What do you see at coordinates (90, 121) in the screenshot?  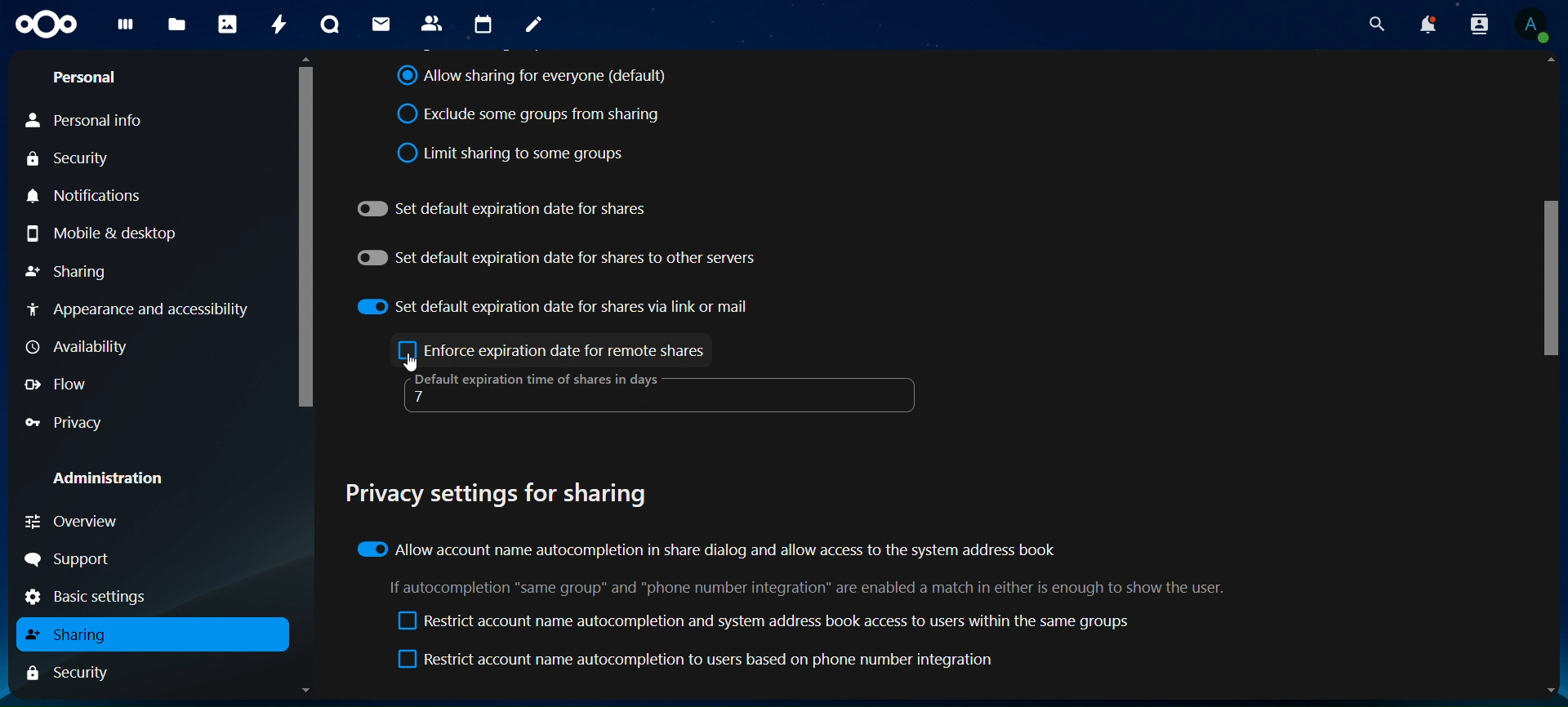 I see `personal info` at bounding box center [90, 121].